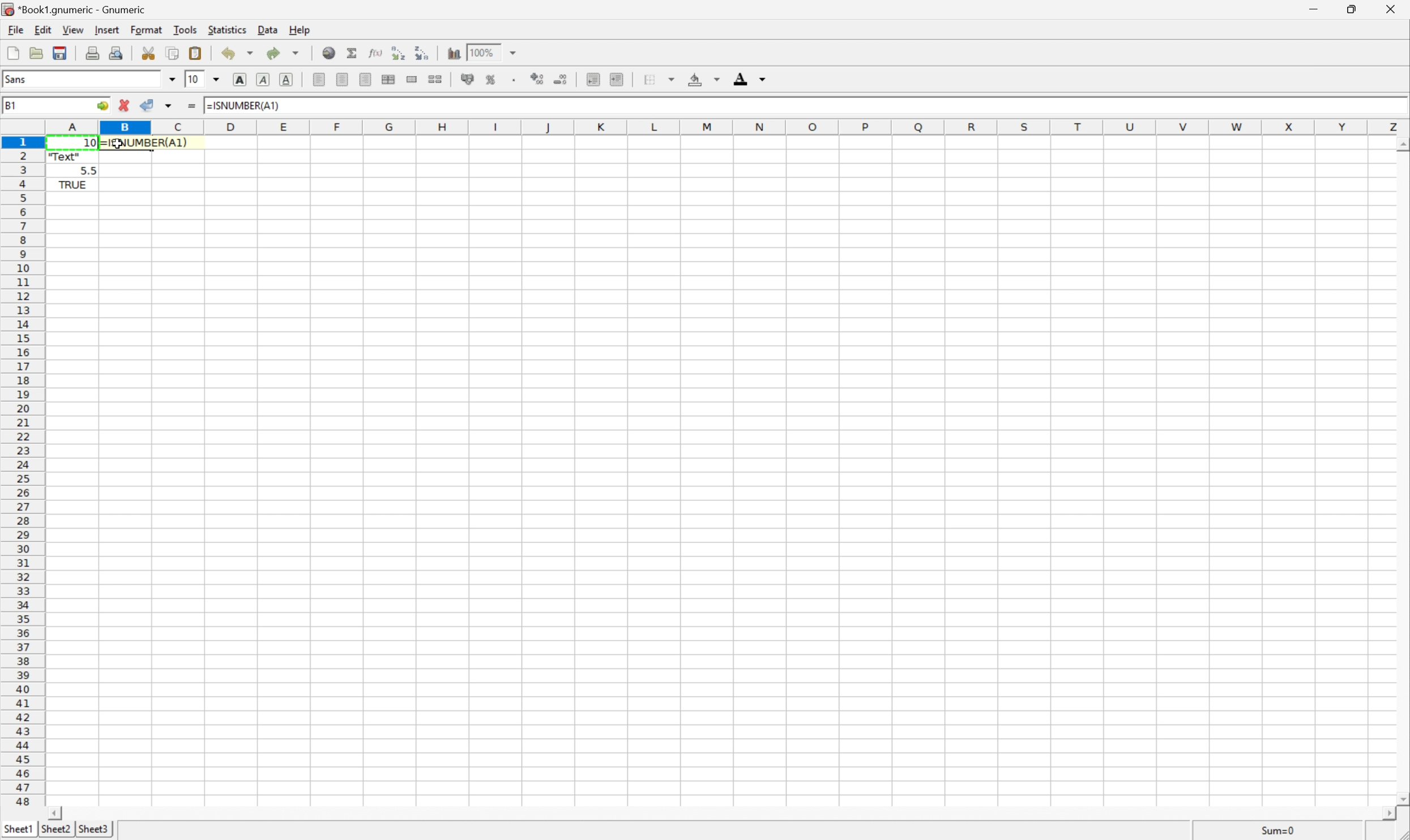 The image size is (1410, 840). Describe the element at coordinates (243, 104) in the screenshot. I see `=ISNUMBER(A1)` at that location.